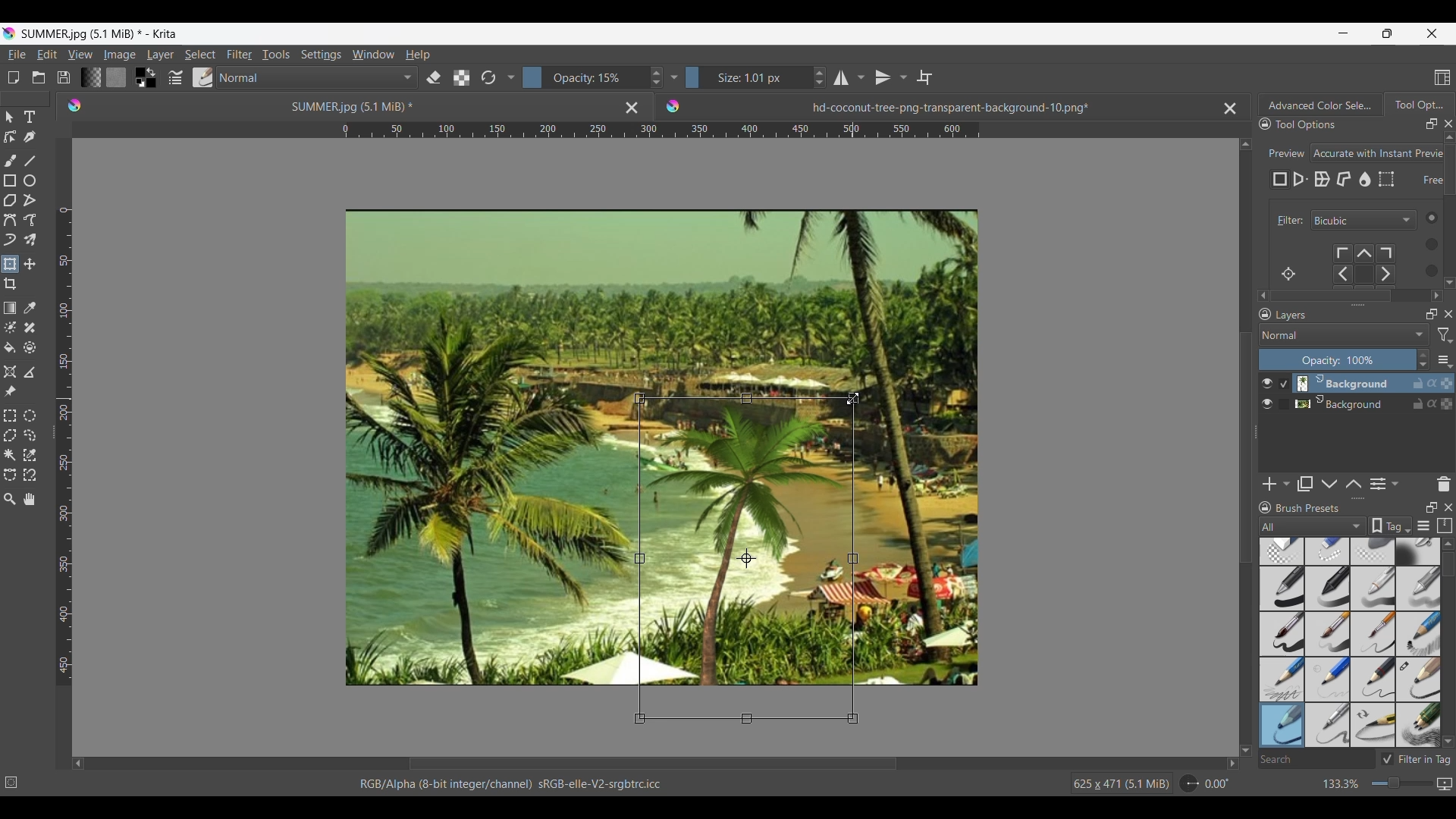 The width and height of the screenshot is (1456, 819). What do you see at coordinates (64, 77) in the screenshot?
I see `Save` at bounding box center [64, 77].